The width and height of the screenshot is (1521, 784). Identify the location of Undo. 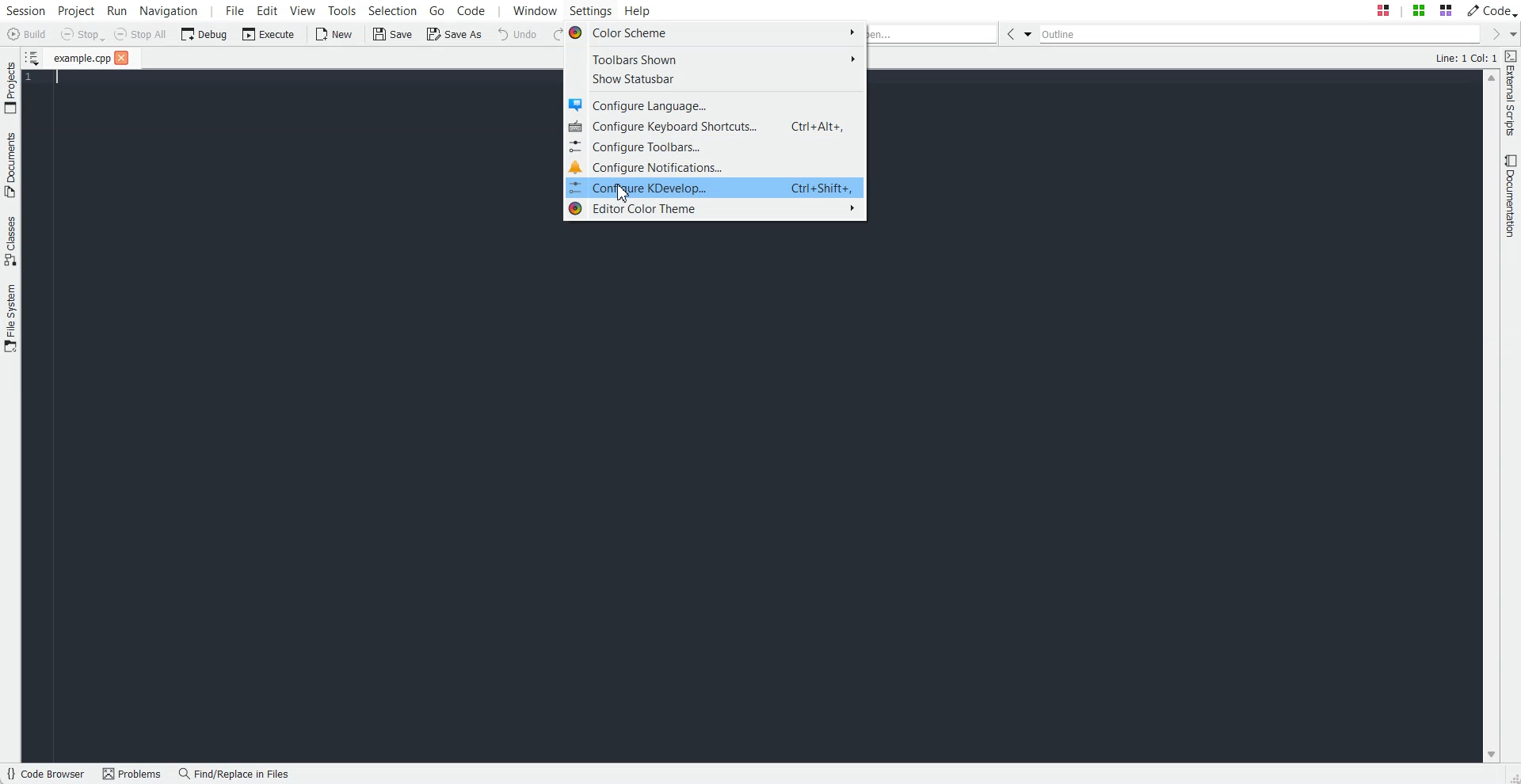
(517, 34).